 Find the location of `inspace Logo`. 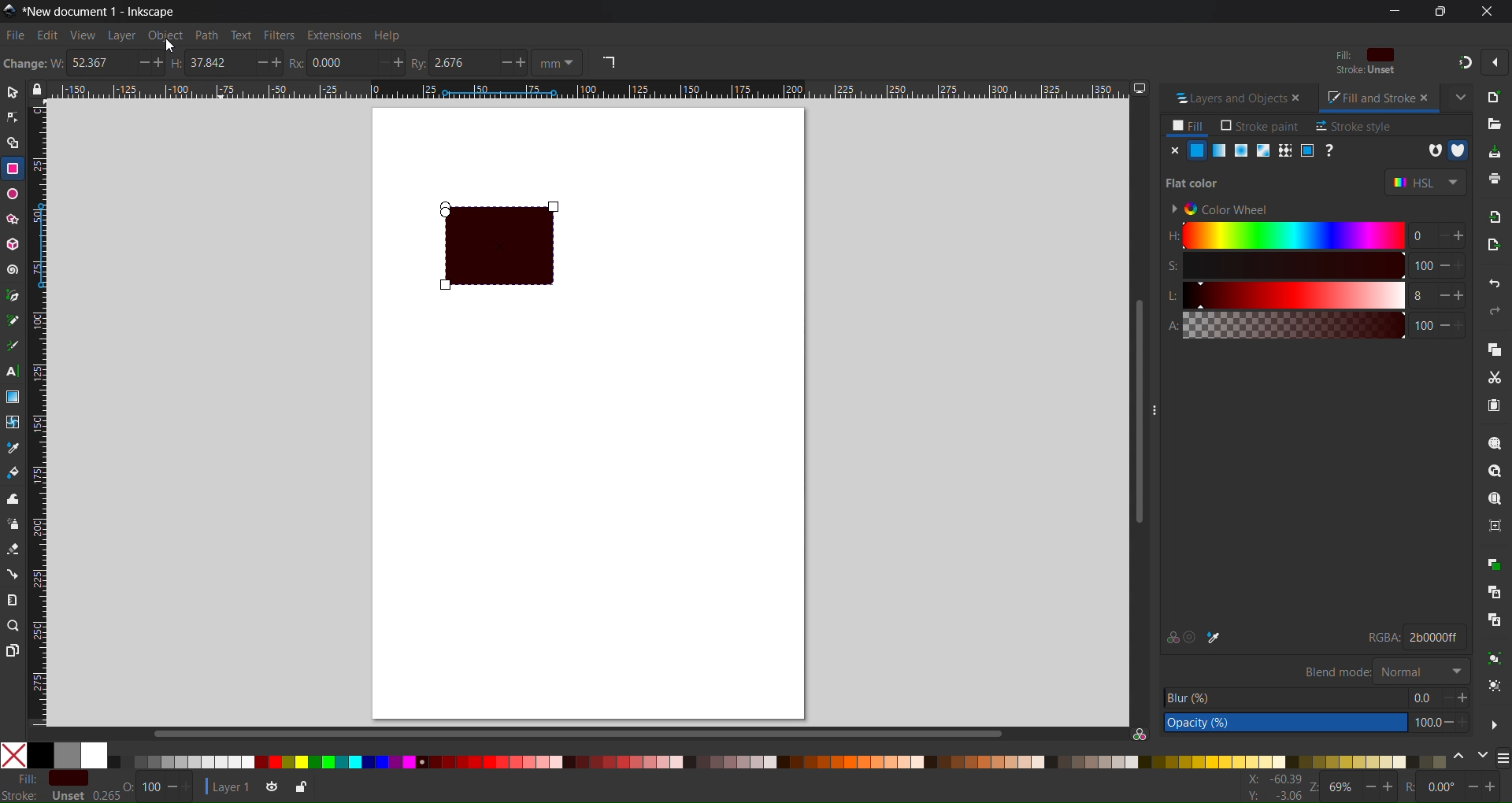

inspace Logo is located at coordinates (9, 9).